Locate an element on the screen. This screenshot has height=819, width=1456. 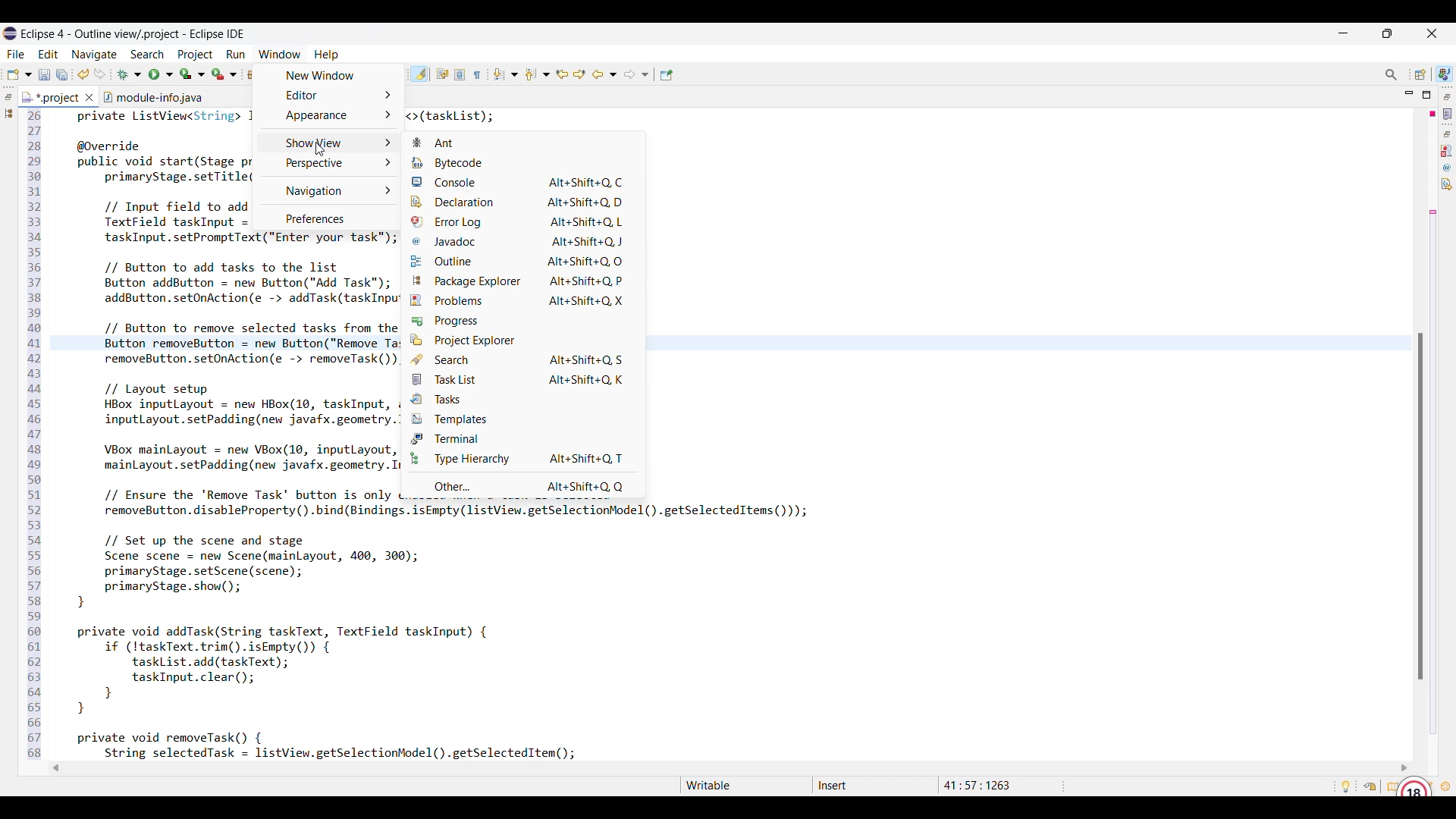
New window is located at coordinates (329, 75).